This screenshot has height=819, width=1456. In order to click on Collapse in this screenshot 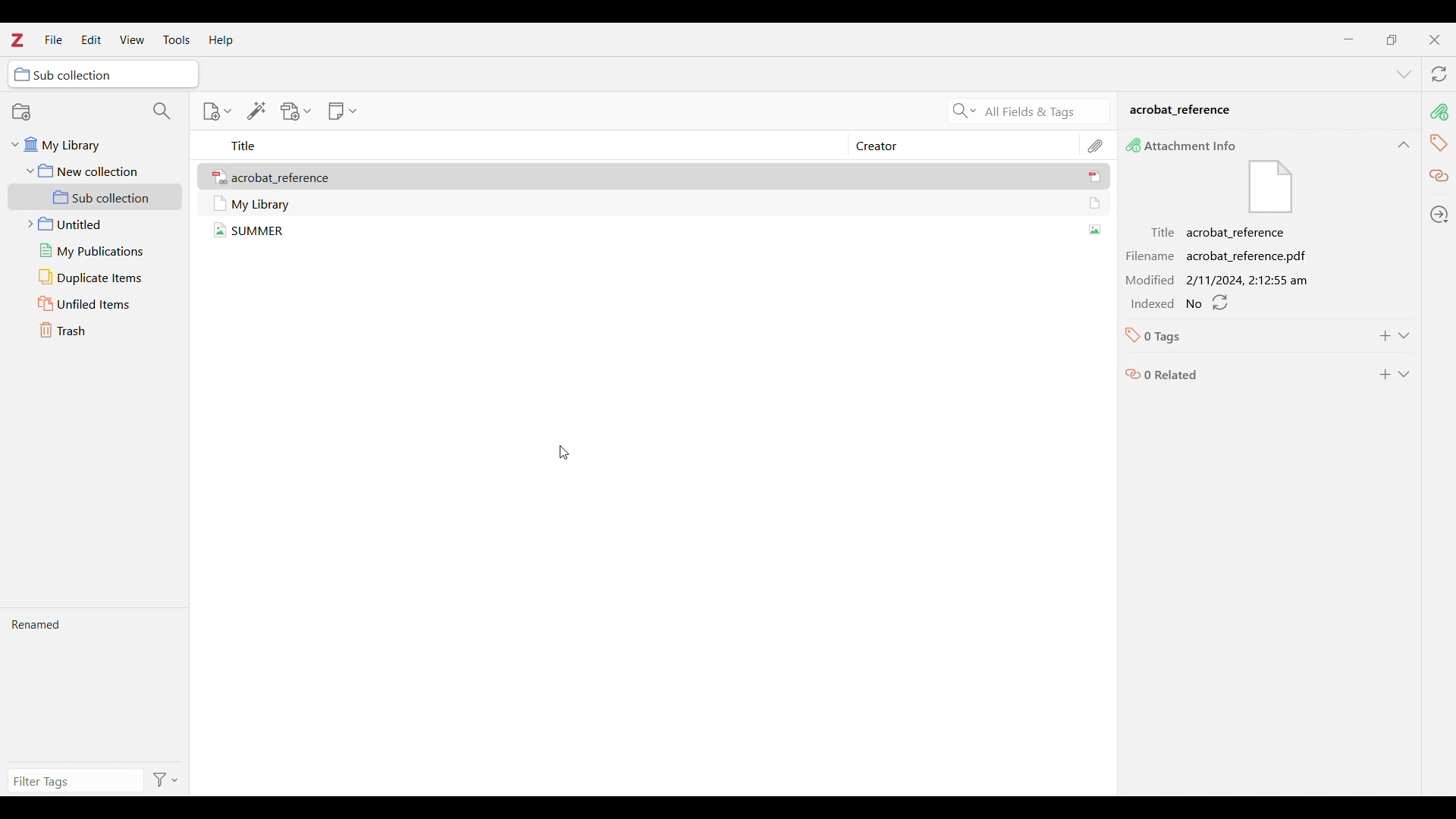, I will do `click(1409, 334)`.